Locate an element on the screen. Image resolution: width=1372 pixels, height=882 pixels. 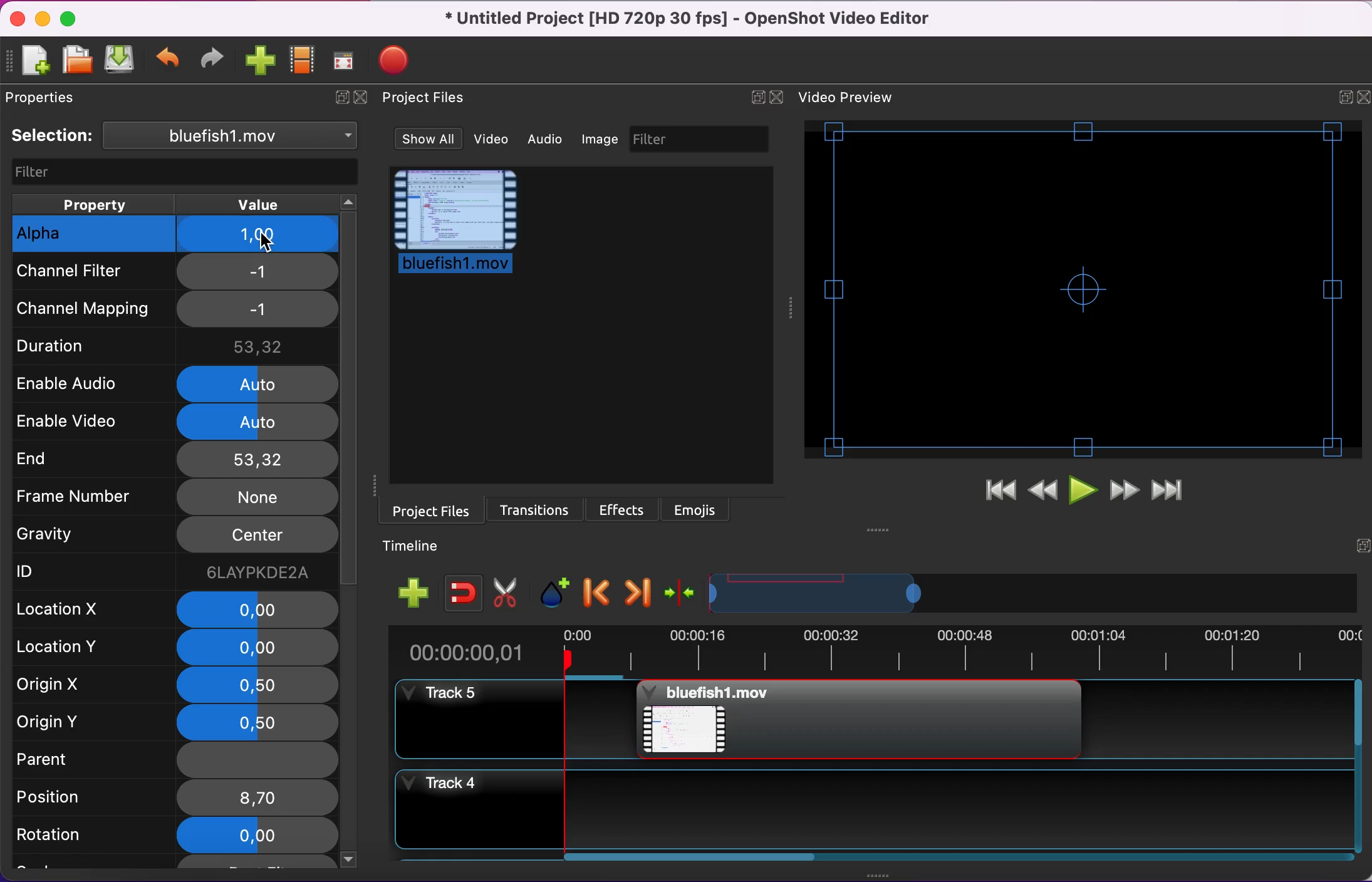
frame number is located at coordinates (90, 498).